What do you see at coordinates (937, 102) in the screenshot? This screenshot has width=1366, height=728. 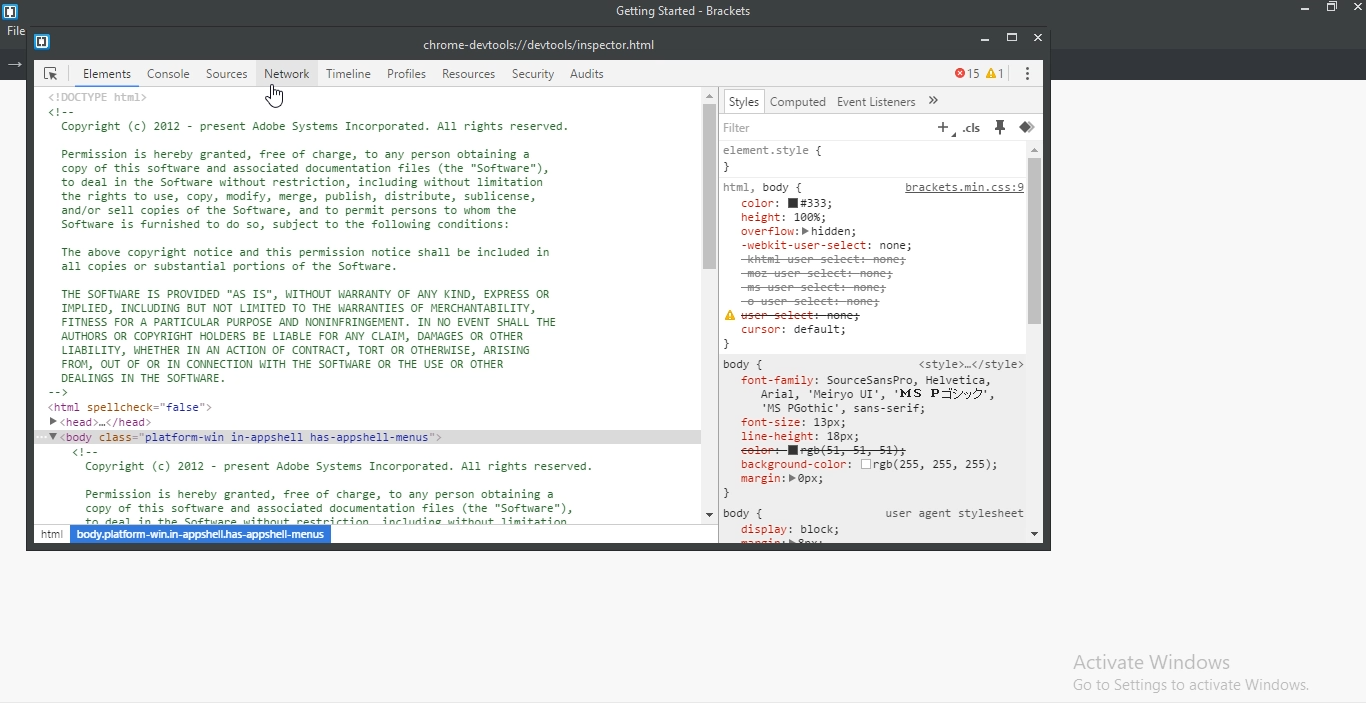 I see `run` at bounding box center [937, 102].